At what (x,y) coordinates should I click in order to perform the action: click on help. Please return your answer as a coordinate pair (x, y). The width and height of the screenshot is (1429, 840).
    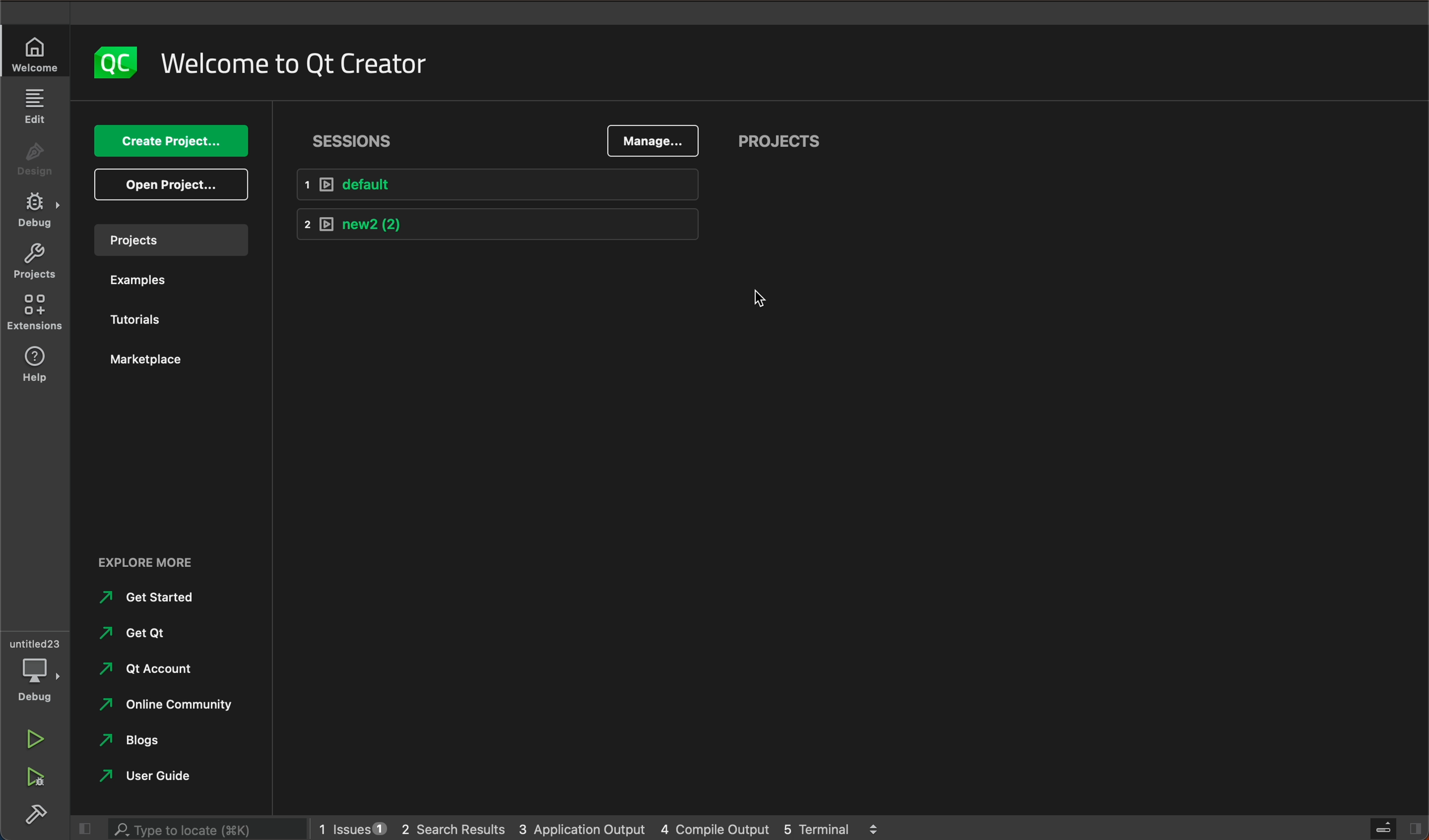
    Looking at the image, I should click on (33, 366).